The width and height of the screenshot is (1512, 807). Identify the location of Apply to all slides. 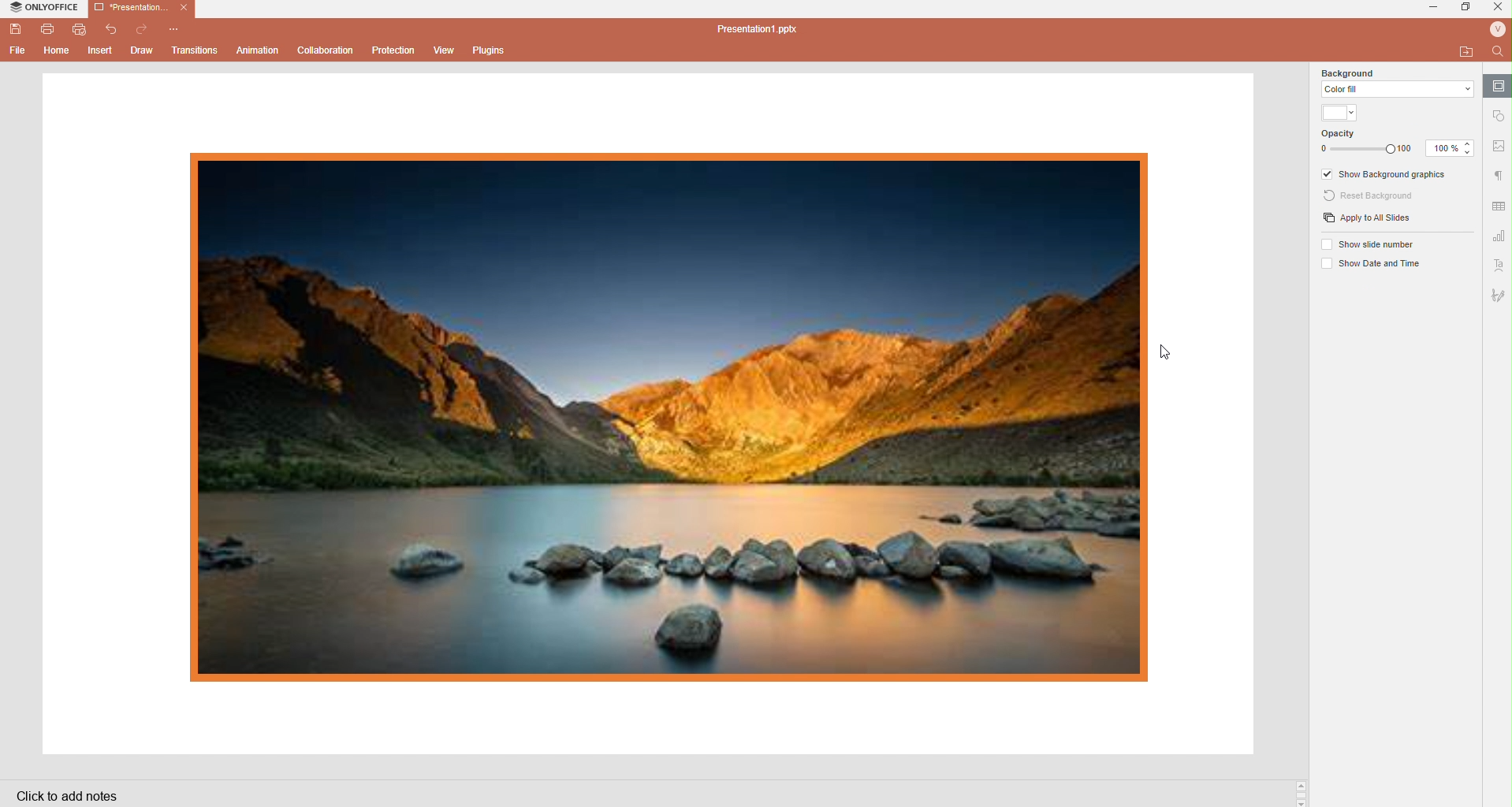
(1374, 220).